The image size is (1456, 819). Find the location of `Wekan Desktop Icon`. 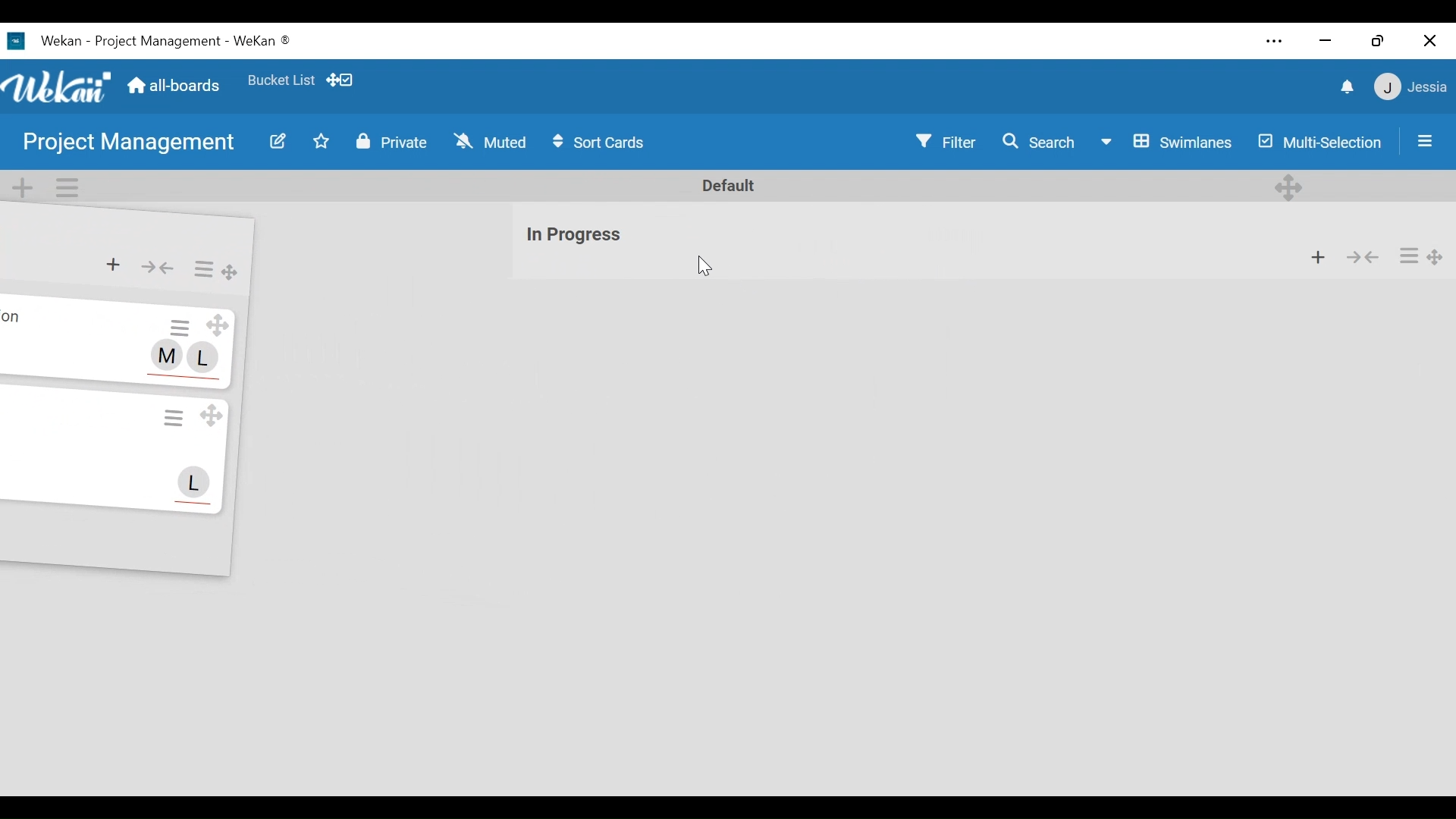

Wekan Desktop Icon is located at coordinates (17, 42).